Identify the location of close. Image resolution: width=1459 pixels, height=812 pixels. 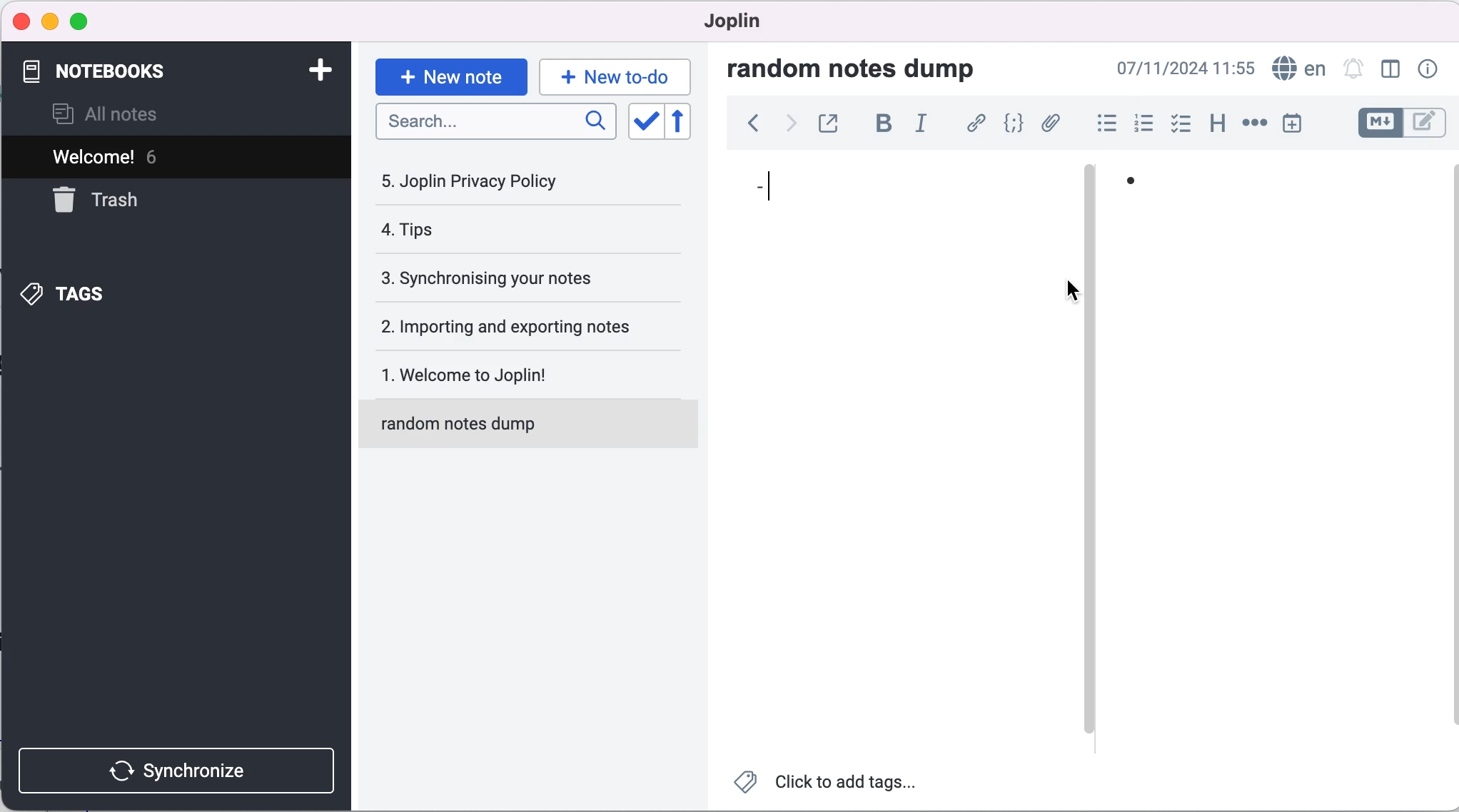
(20, 21).